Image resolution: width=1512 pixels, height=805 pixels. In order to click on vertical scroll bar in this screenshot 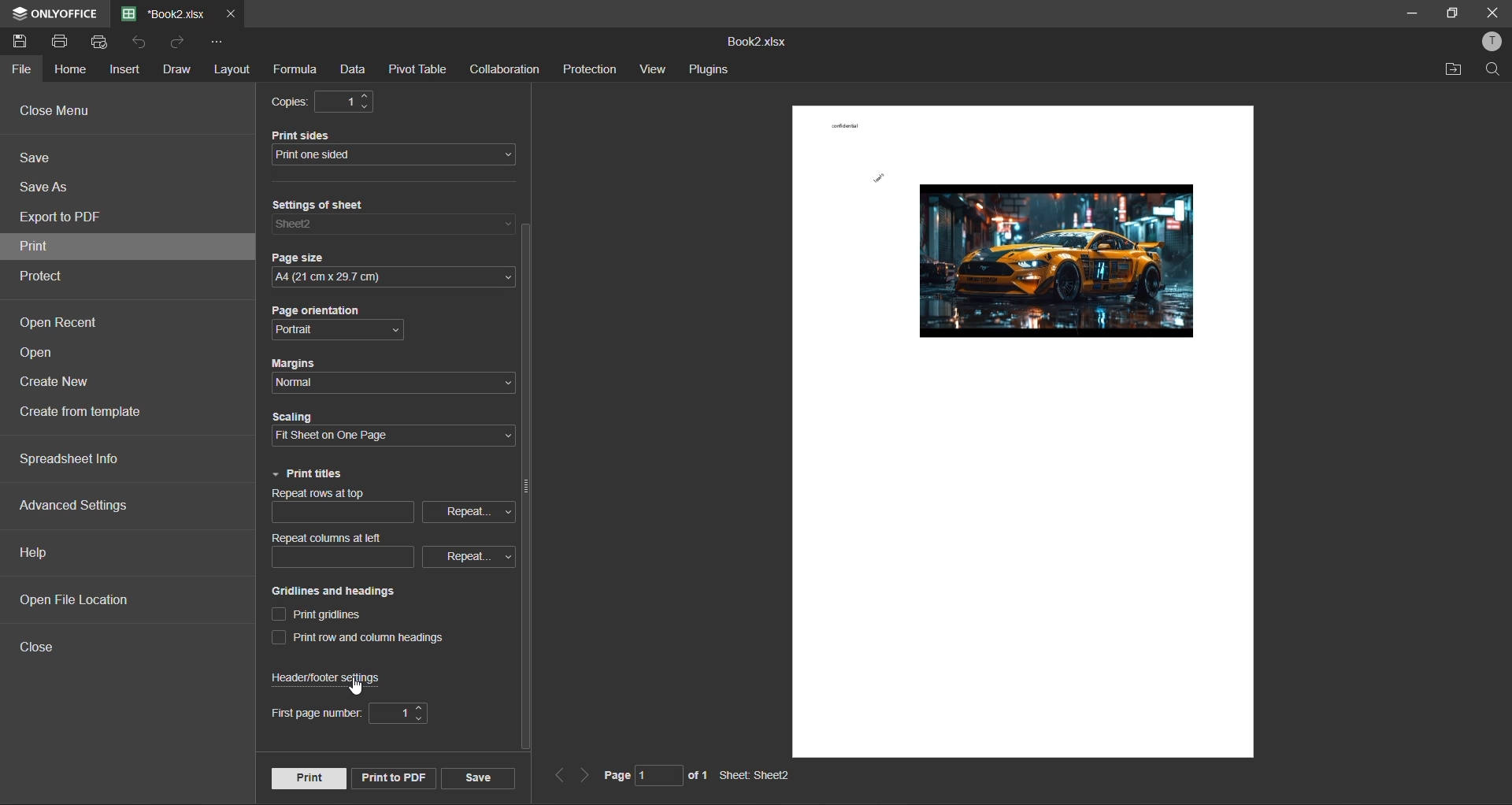, I will do `click(528, 488)`.